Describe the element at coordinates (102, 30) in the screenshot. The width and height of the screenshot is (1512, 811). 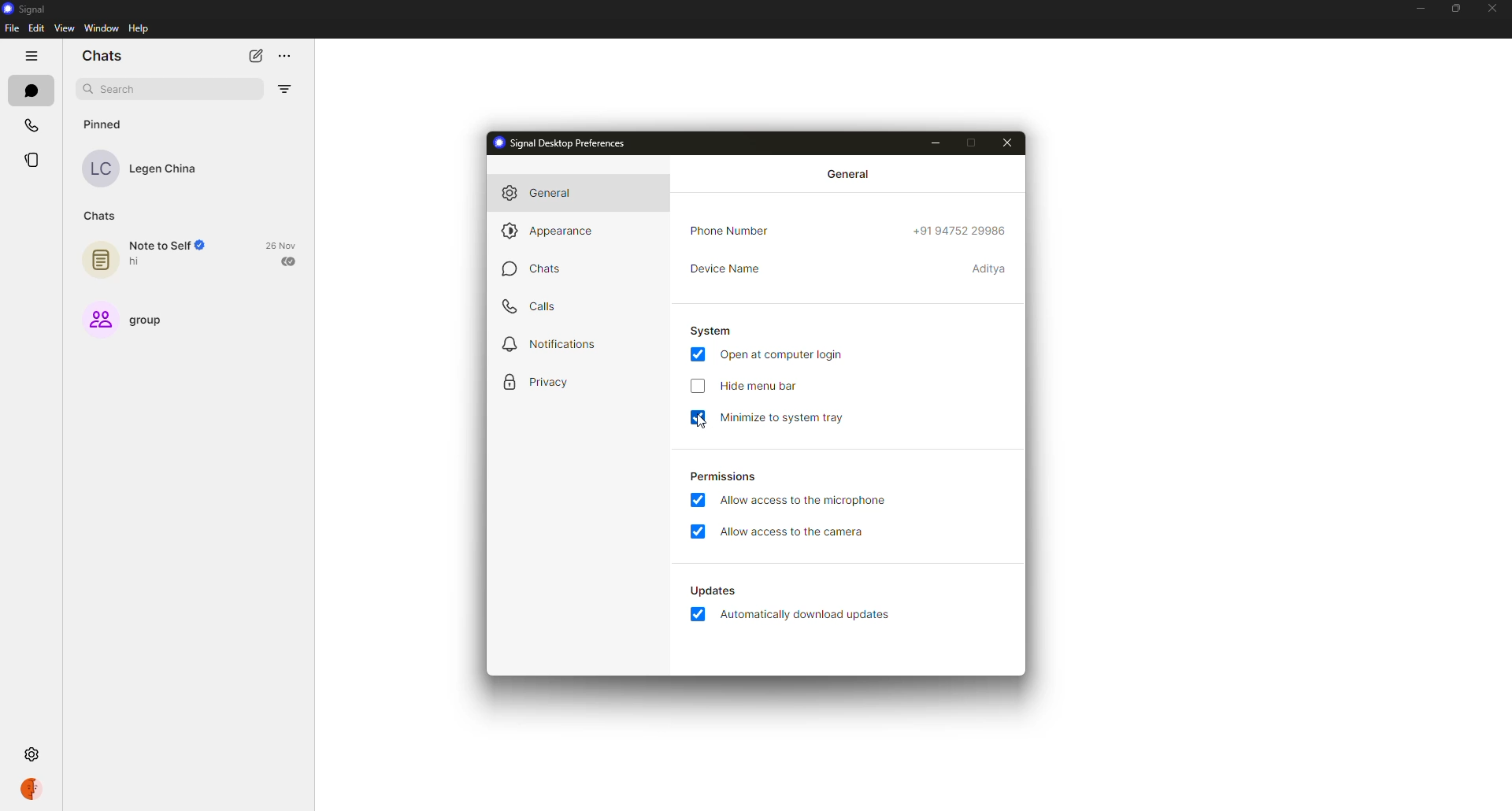
I see `window` at that location.